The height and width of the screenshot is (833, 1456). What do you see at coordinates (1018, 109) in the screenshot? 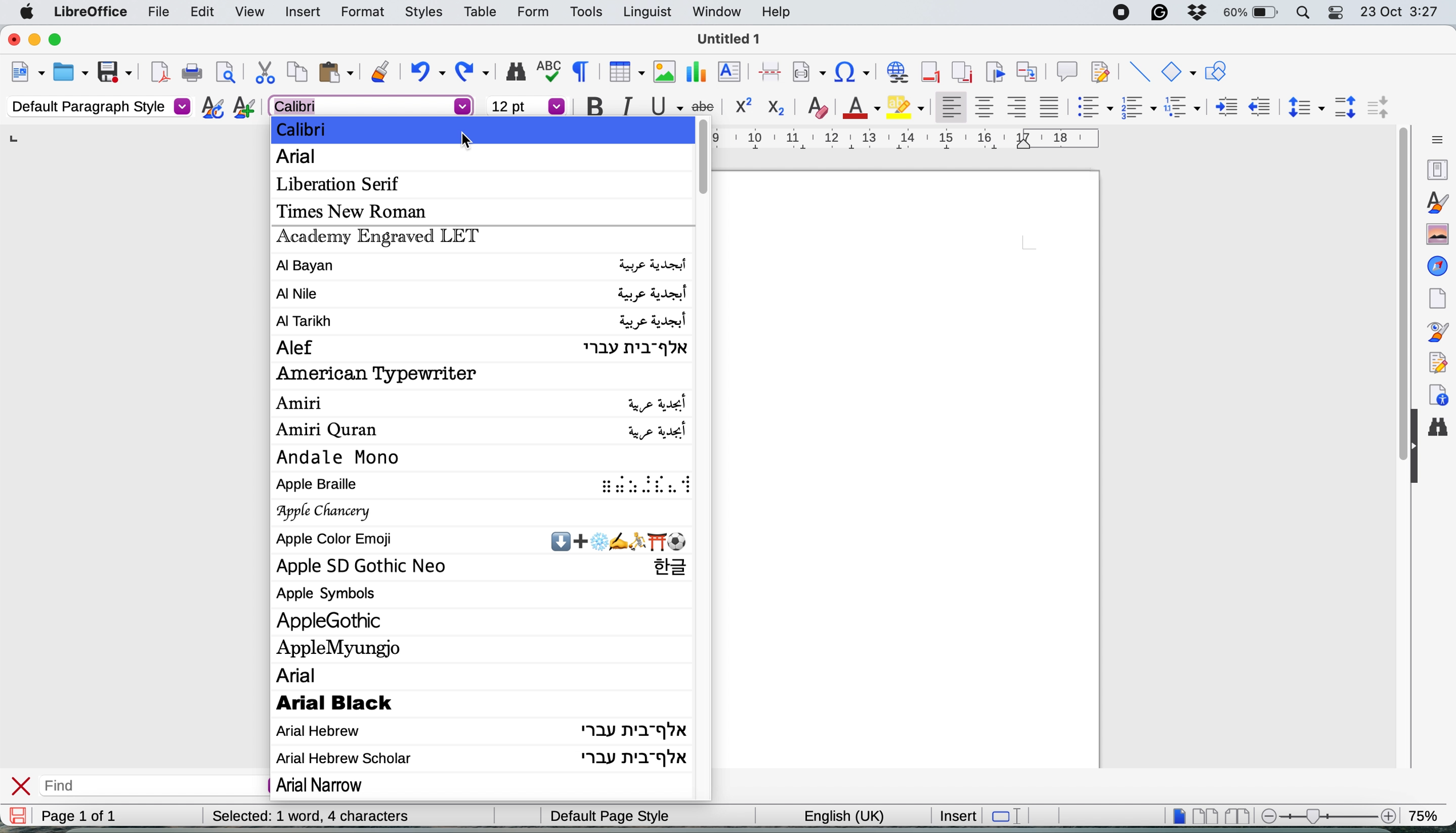
I see `align right` at bounding box center [1018, 109].